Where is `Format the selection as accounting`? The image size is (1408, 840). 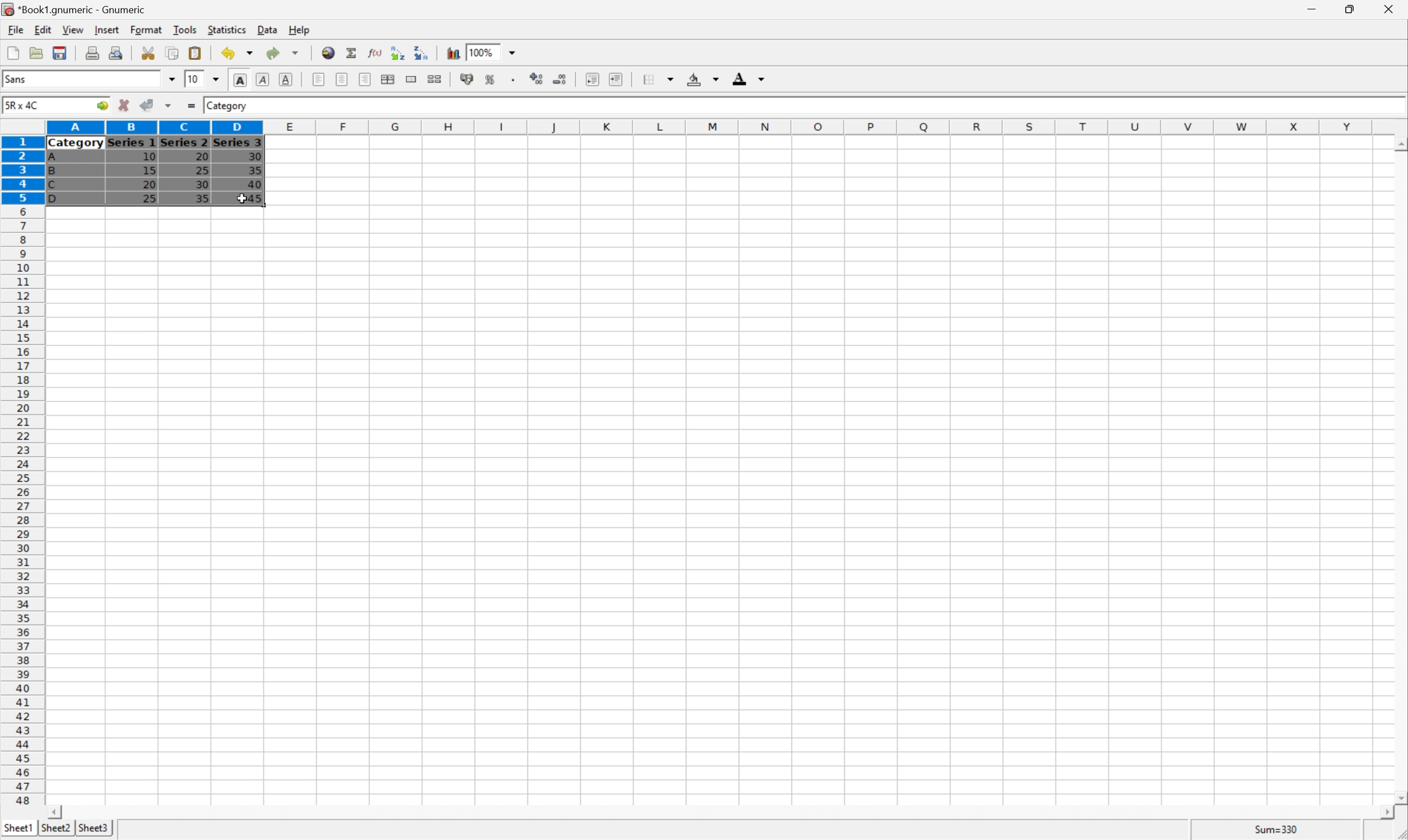 Format the selection as accounting is located at coordinates (467, 80).